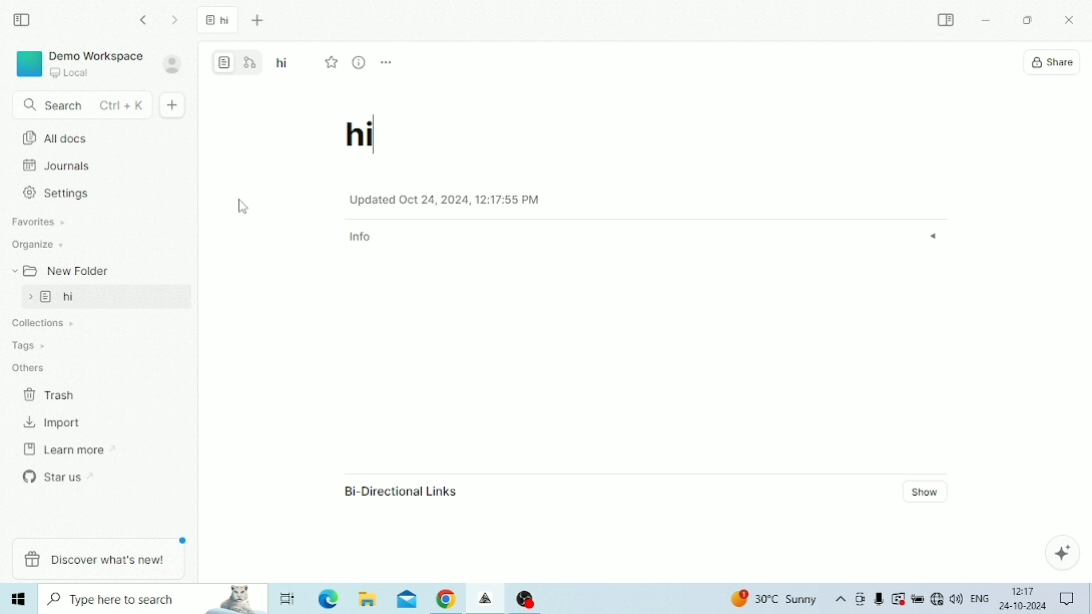 The width and height of the screenshot is (1092, 614). Describe the element at coordinates (407, 600) in the screenshot. I see `Mail` at that location.